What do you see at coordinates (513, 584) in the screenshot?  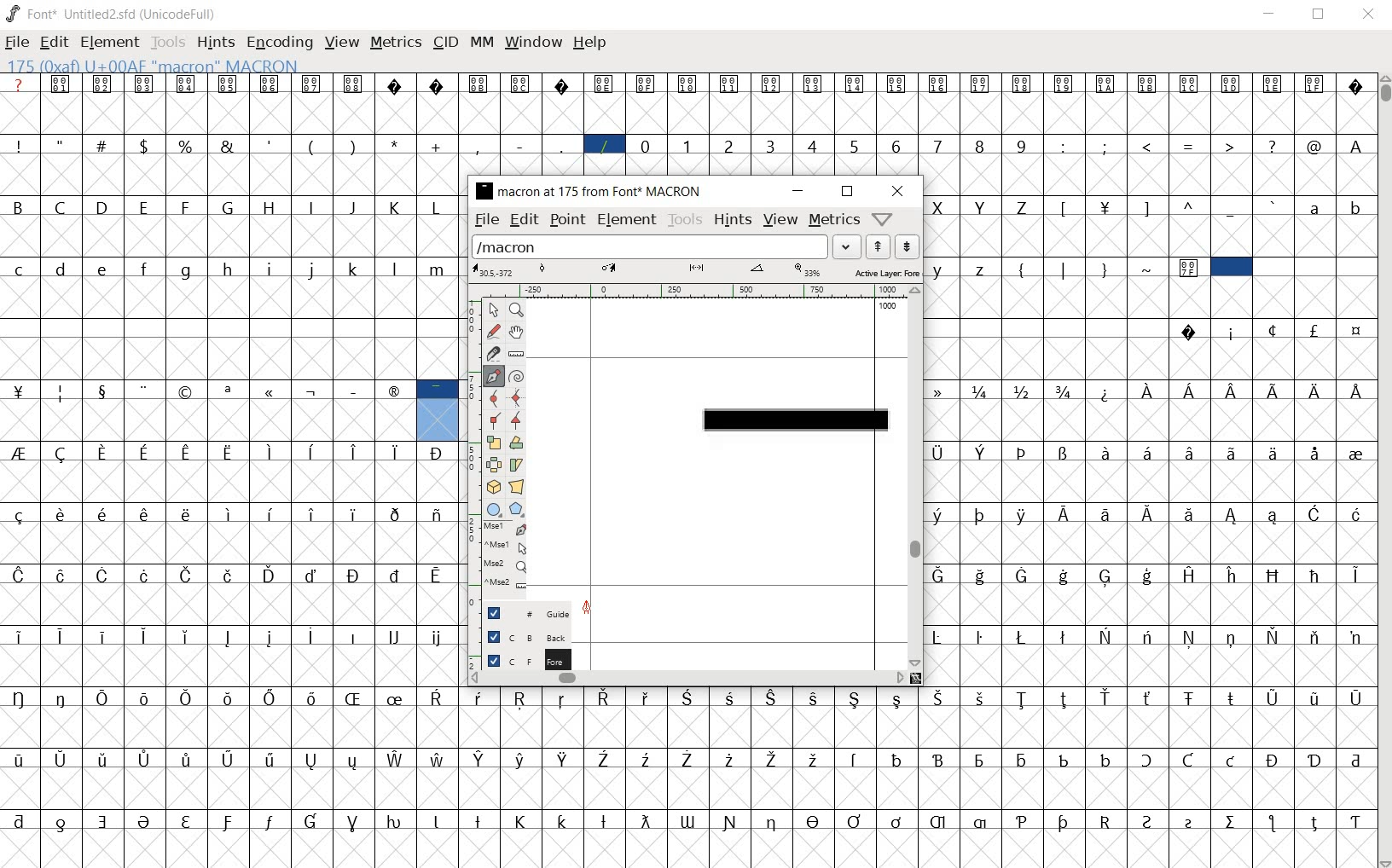 I see `Mouse wheel button + Ctrl` at bounding box center [513, 584].